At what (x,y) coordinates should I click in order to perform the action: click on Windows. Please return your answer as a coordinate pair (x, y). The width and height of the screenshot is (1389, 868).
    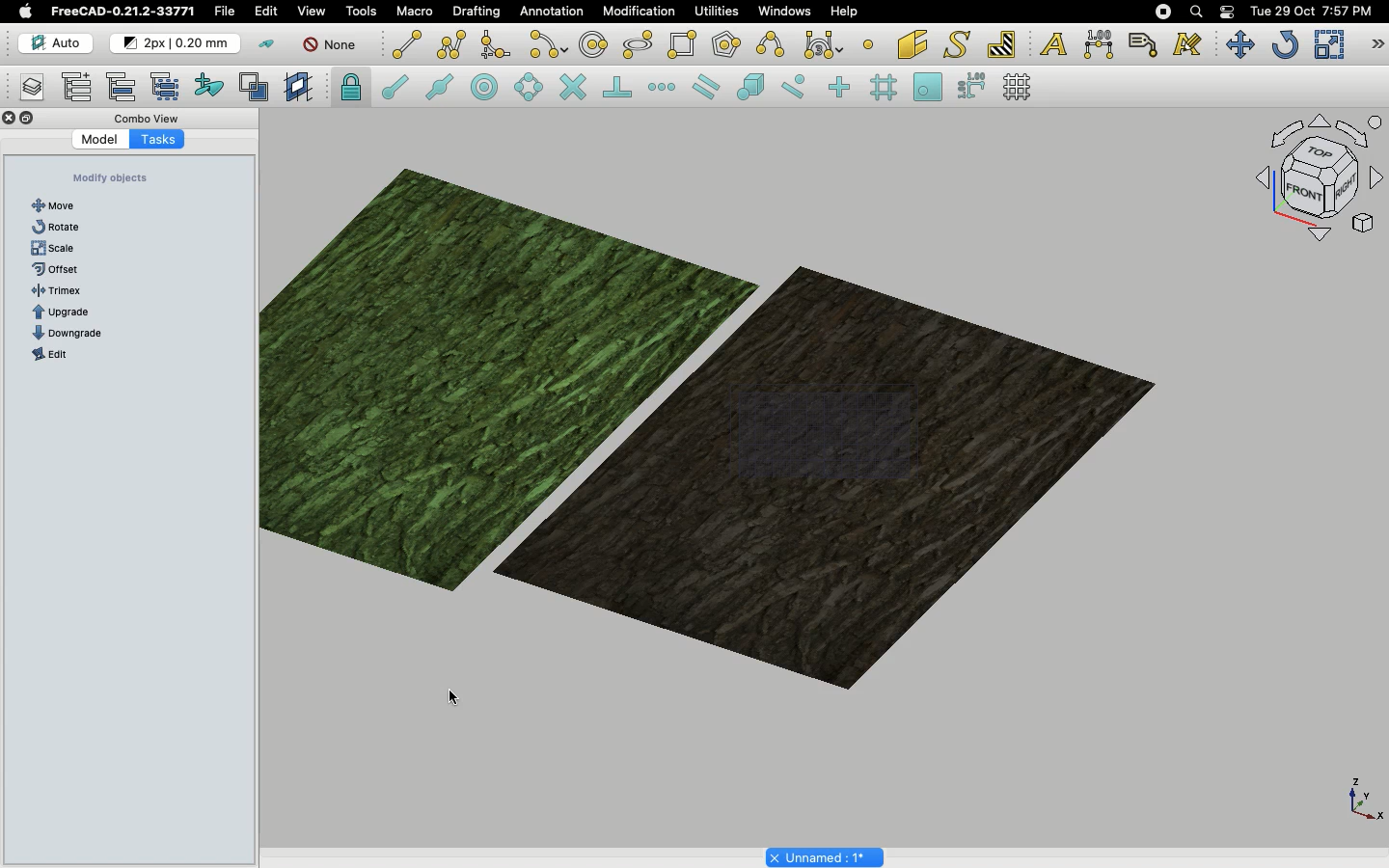
    Looking at the image, I should click on (789, 14).